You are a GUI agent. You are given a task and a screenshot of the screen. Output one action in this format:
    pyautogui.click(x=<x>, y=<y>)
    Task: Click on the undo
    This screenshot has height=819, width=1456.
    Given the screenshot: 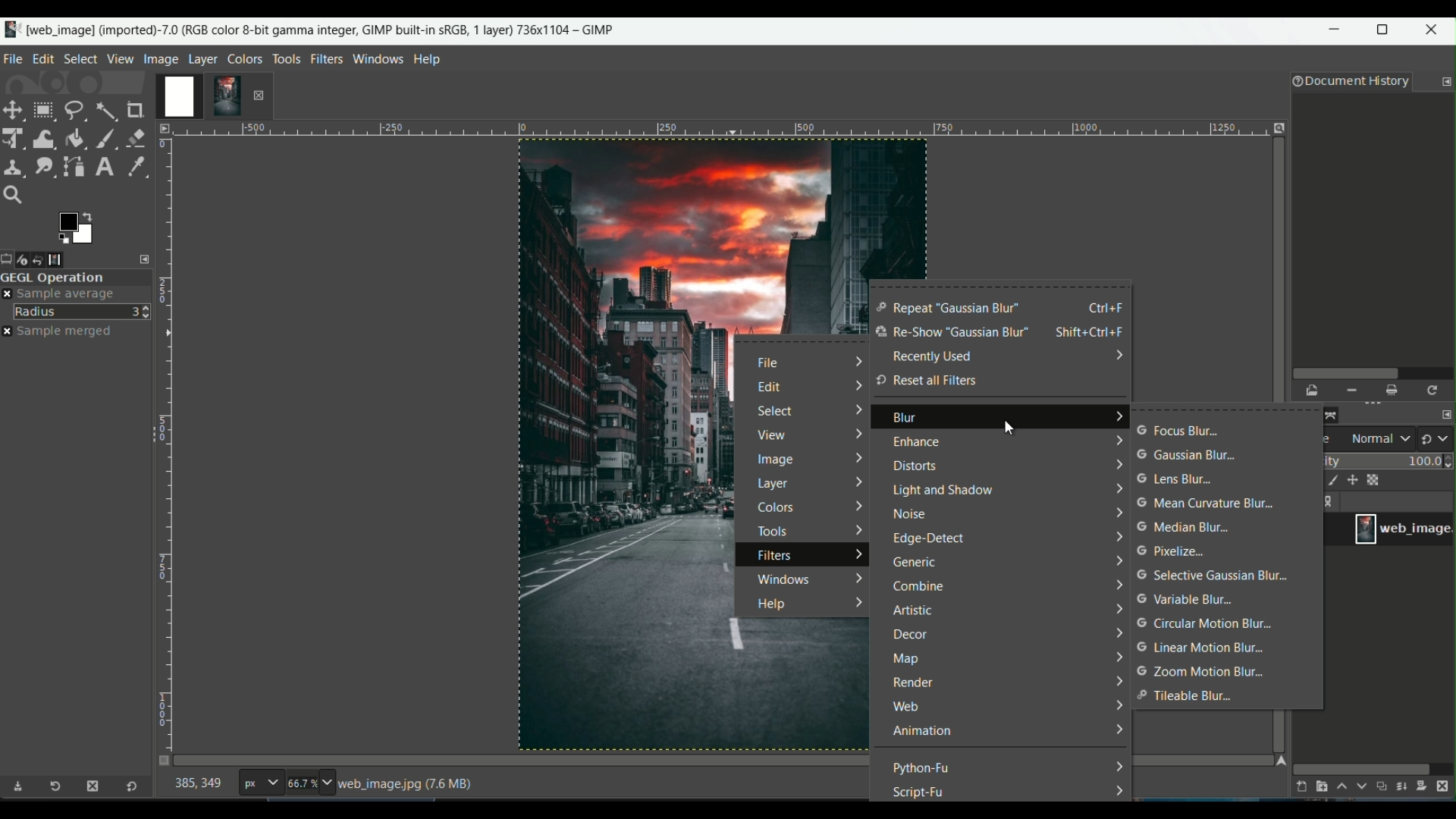 What is the action you would take?
    pyautogui.click(x=47, y=259)
    